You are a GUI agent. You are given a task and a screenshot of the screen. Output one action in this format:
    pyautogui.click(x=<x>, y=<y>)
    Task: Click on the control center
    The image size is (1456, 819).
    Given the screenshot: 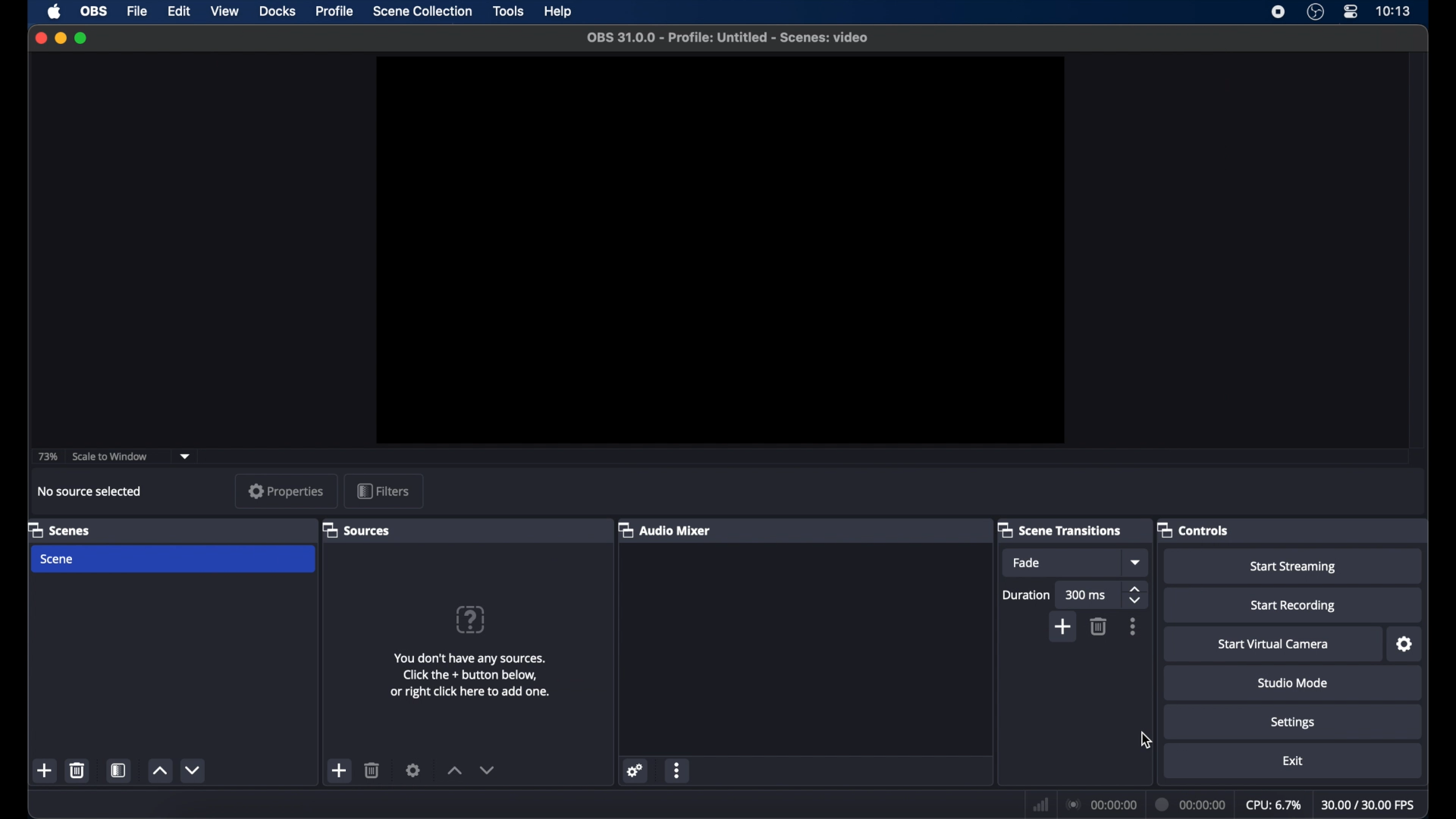 What is the action you would take?
    pyautogui.click(x=1350, y=12)
    